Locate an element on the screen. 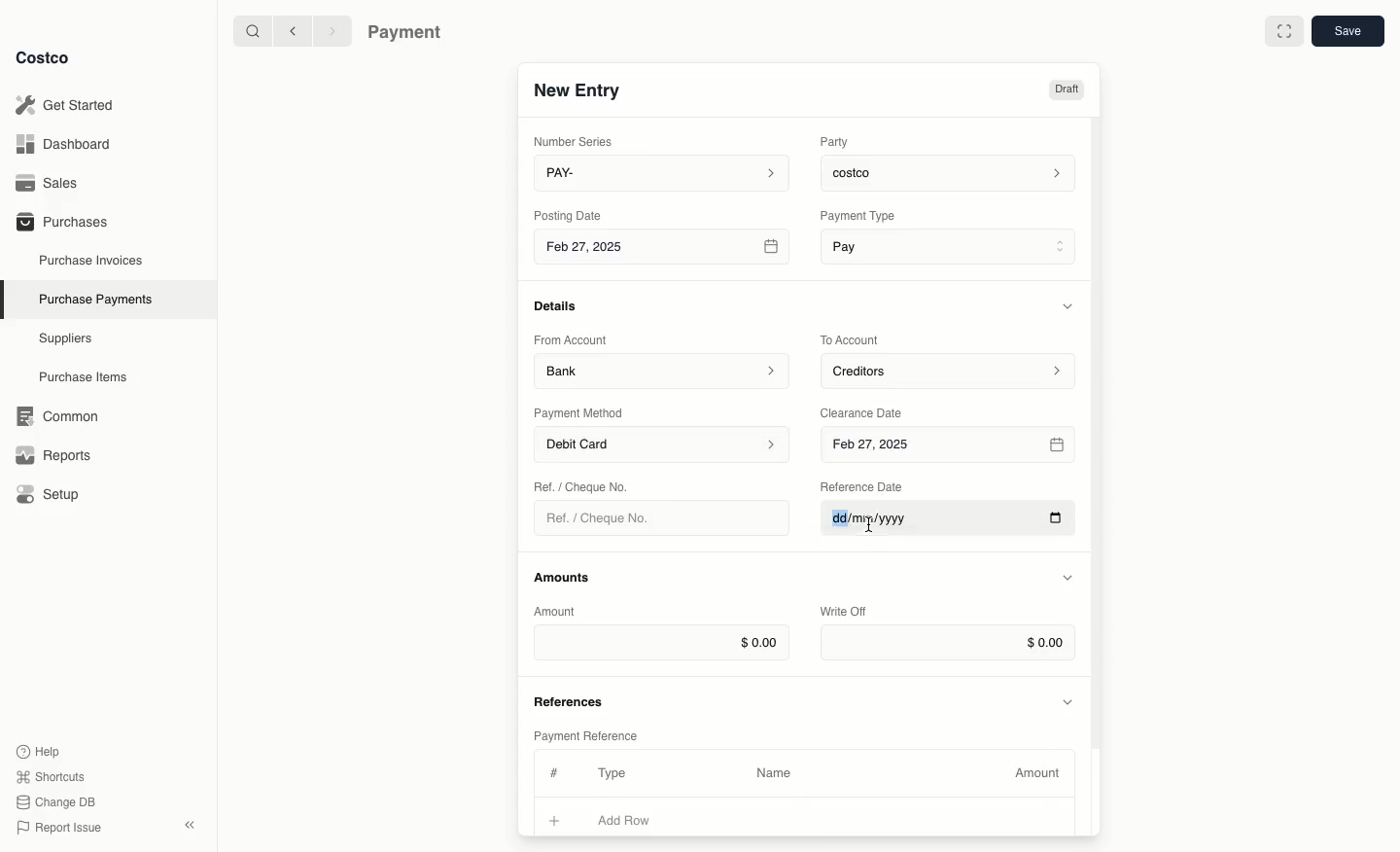 The height and width of the screenshot is (852, 1400). To Account is located at coordinates (852, 339).